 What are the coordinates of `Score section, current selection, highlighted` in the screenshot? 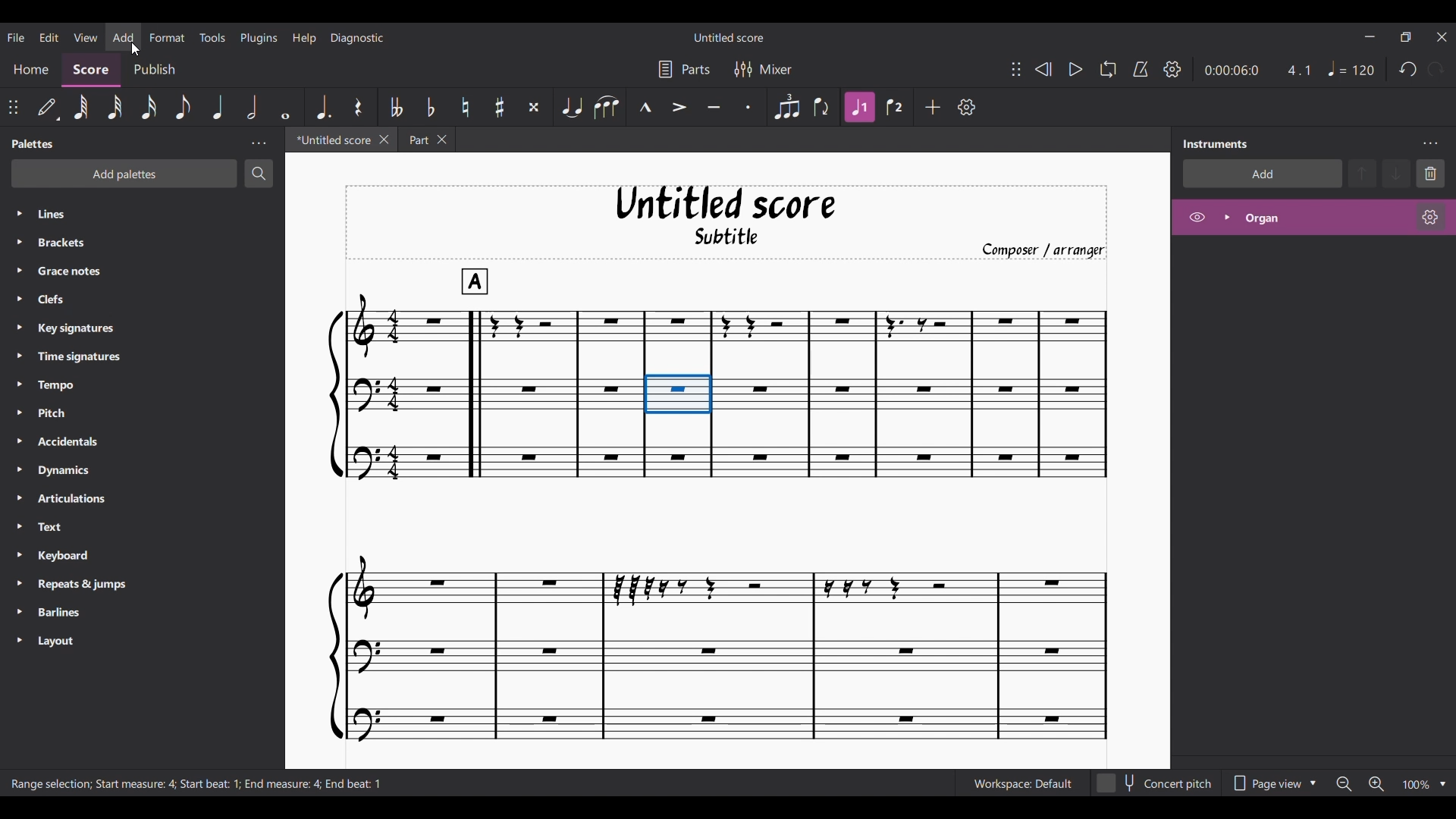 It's located at (91, 69).